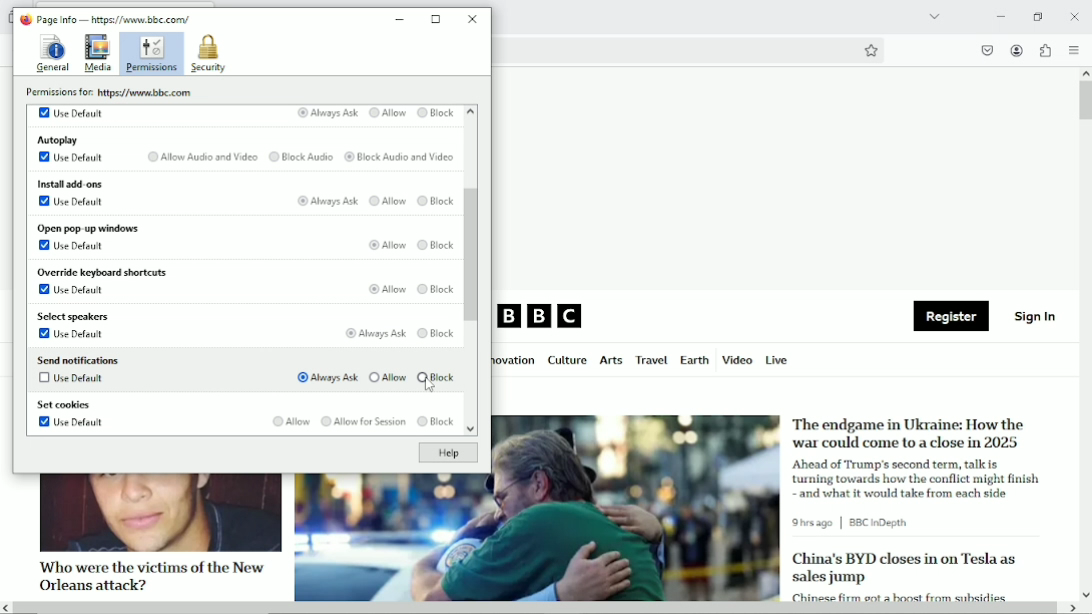 The width and height of the screenshot is (1092, 614). Describe the element at coordinates (101, 273) in the screenshot. I see `Override keyboard shortcuts` at that location.